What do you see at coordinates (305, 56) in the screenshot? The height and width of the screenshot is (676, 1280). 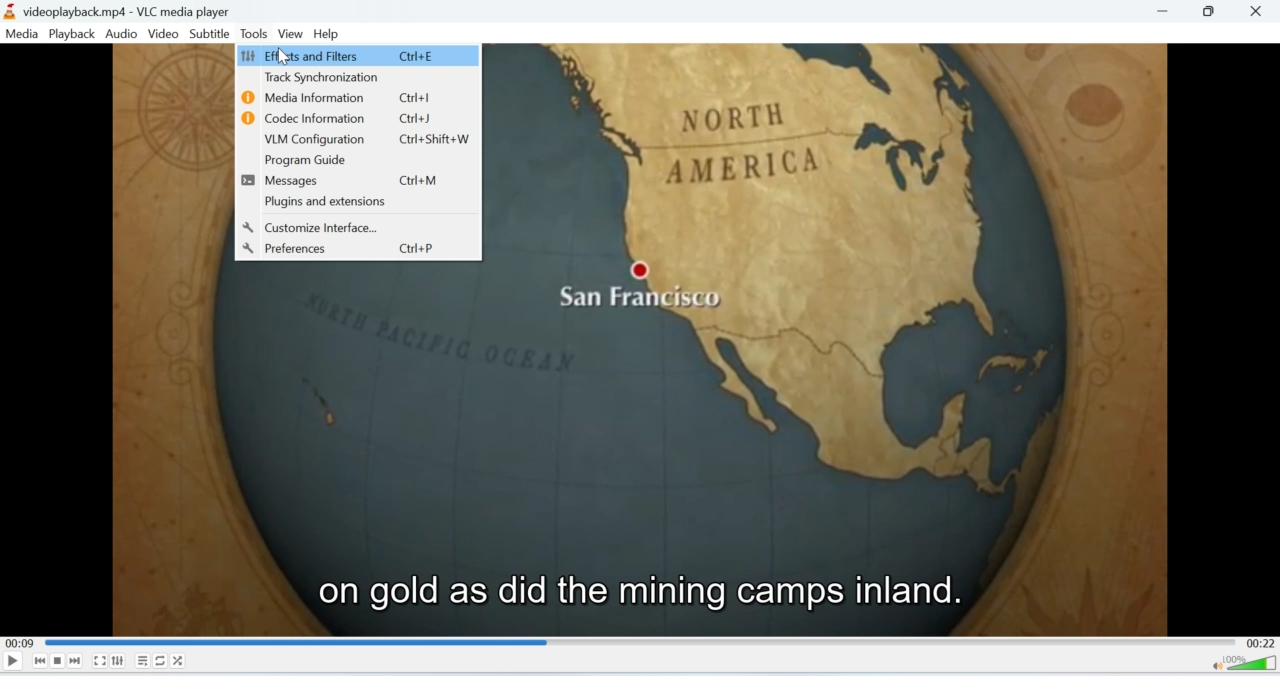 I see `Effects and Filters` at bounding box center [305, 56].